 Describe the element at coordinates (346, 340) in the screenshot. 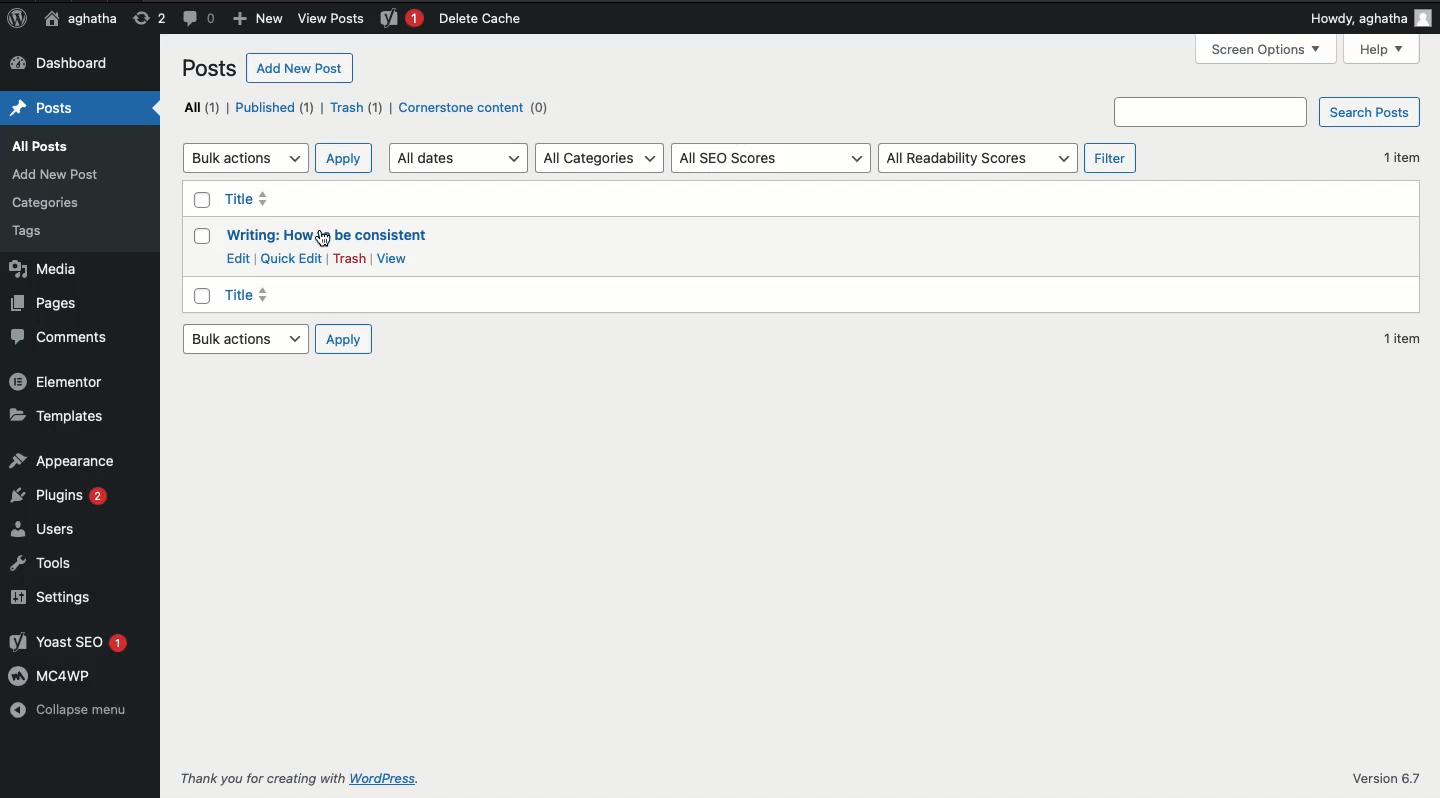

I see `Apply` at that location.